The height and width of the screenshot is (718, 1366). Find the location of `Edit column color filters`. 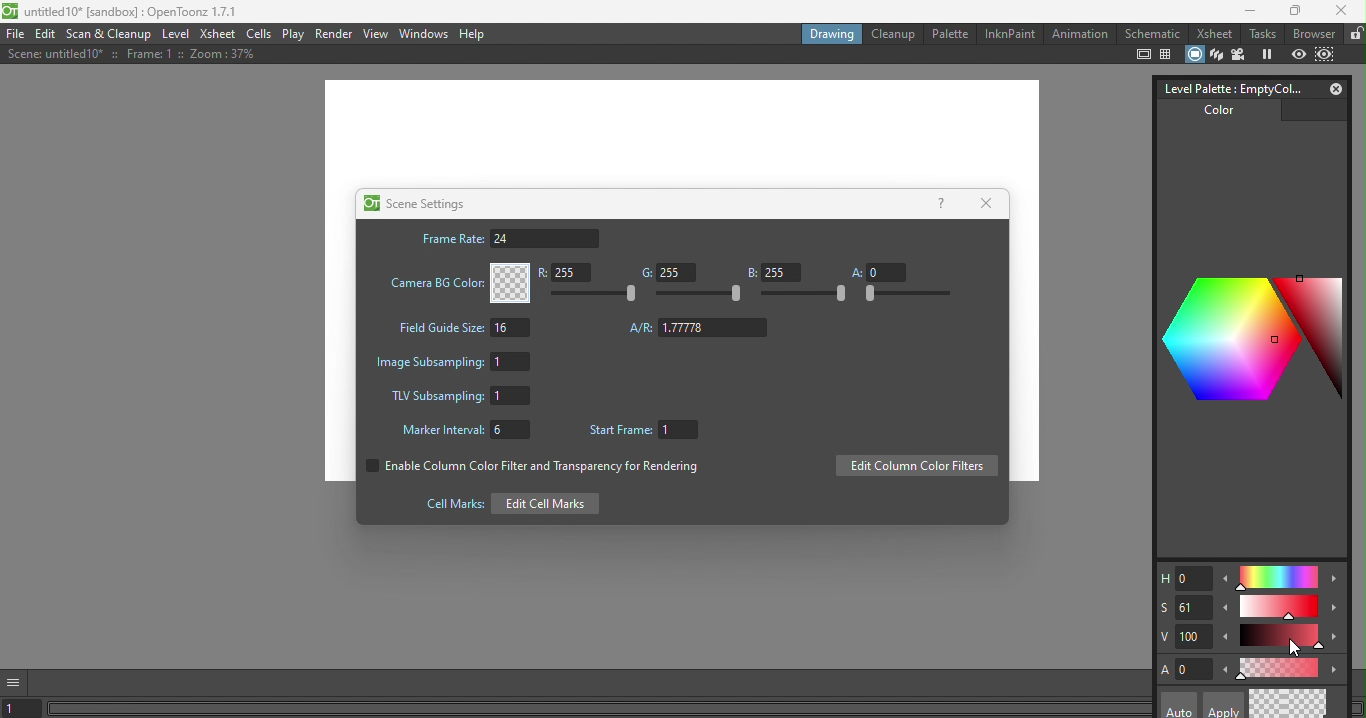

Edit column color filters is located at coordinates (916, 467).